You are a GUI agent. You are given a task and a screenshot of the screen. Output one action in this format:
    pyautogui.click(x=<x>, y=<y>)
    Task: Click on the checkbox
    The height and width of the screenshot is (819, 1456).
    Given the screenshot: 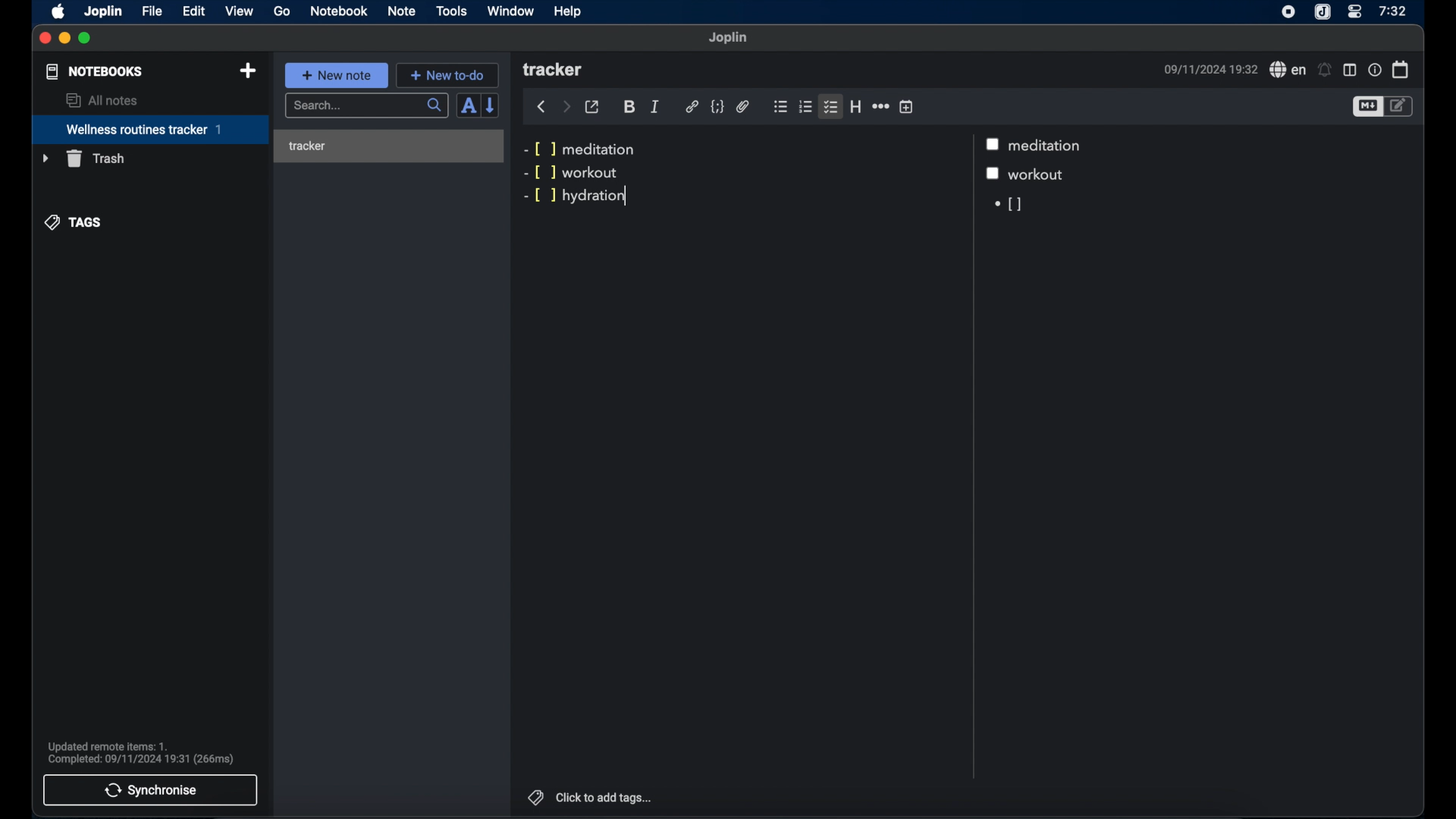 What is the action you would take?
    pyautogui.click(x=994, y=143)
    